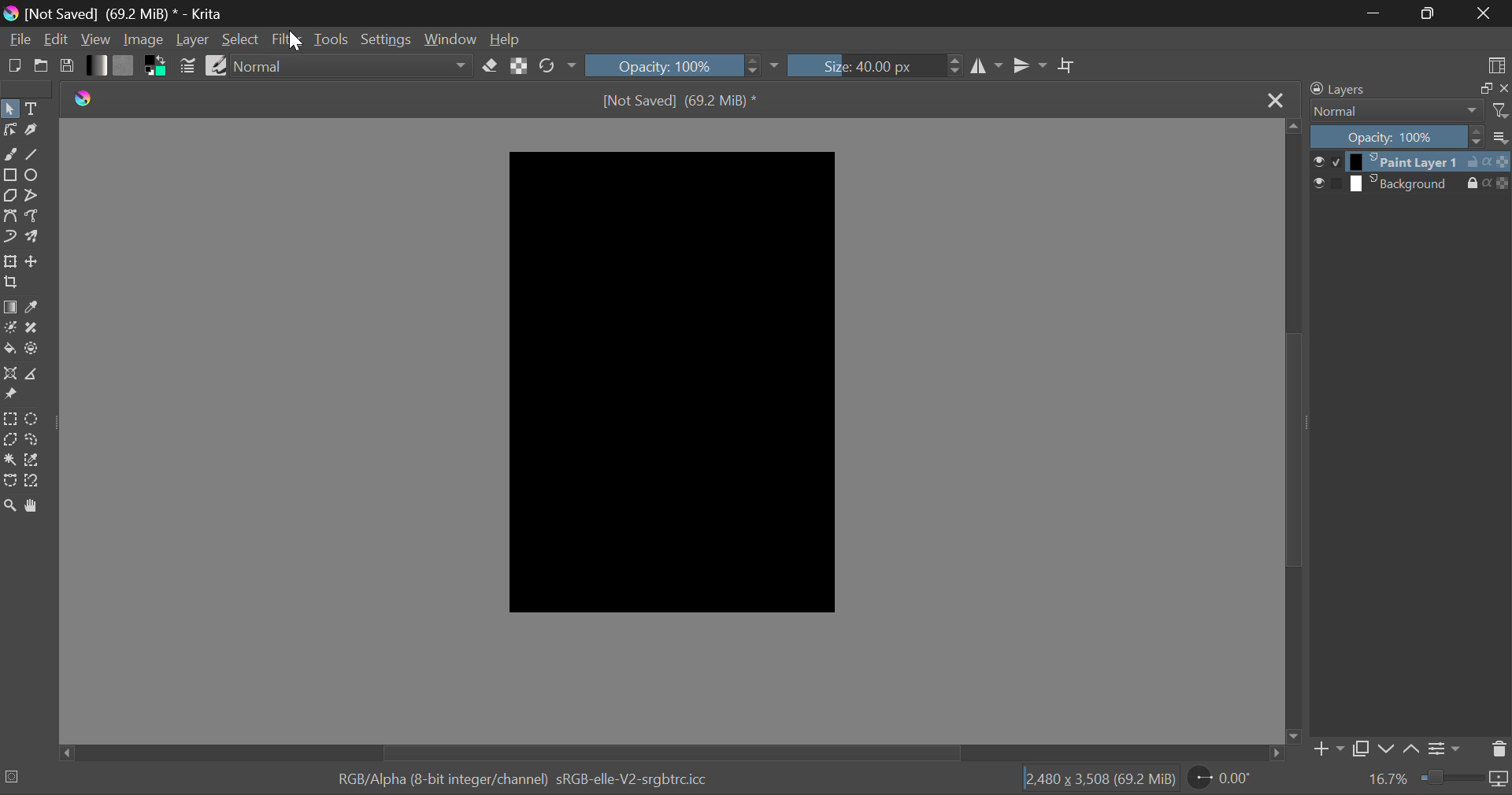  I want to click on Calligraphic Tool, so click(31, 131).